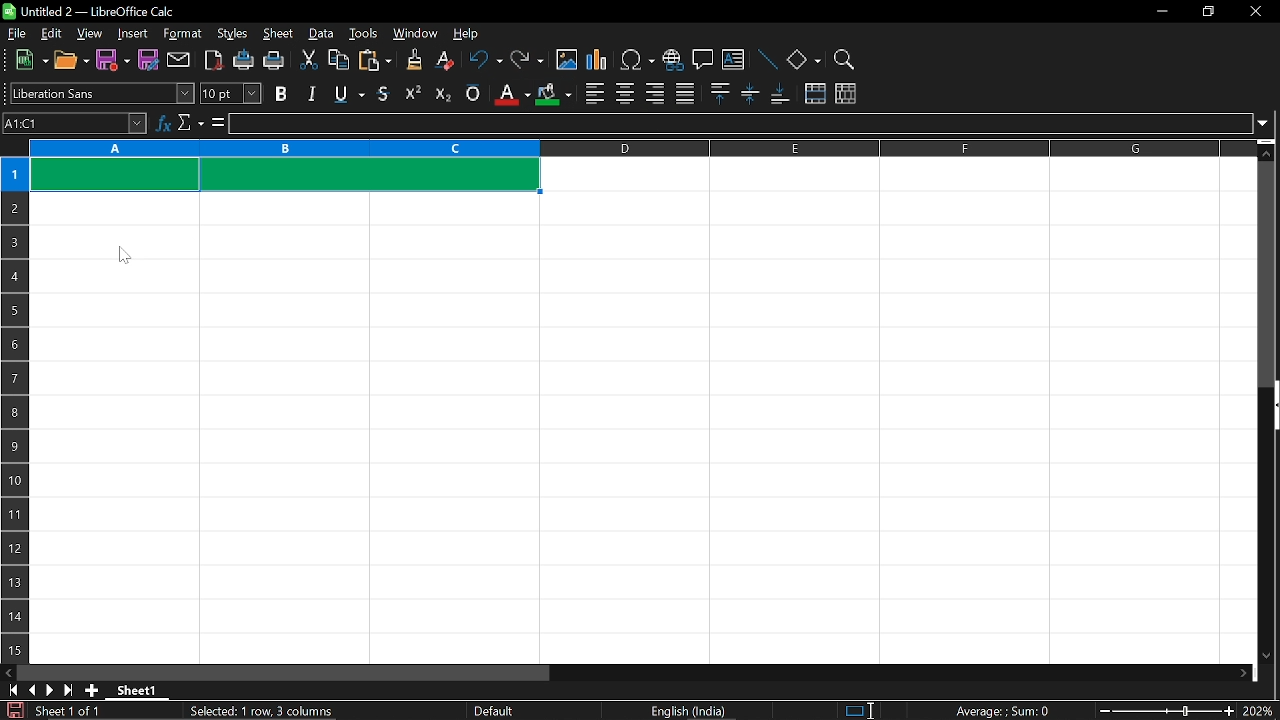  What do you see at coordinates (1162, 10) in the screenshot?
I see `minimize` at bounding box center [1162, 10].